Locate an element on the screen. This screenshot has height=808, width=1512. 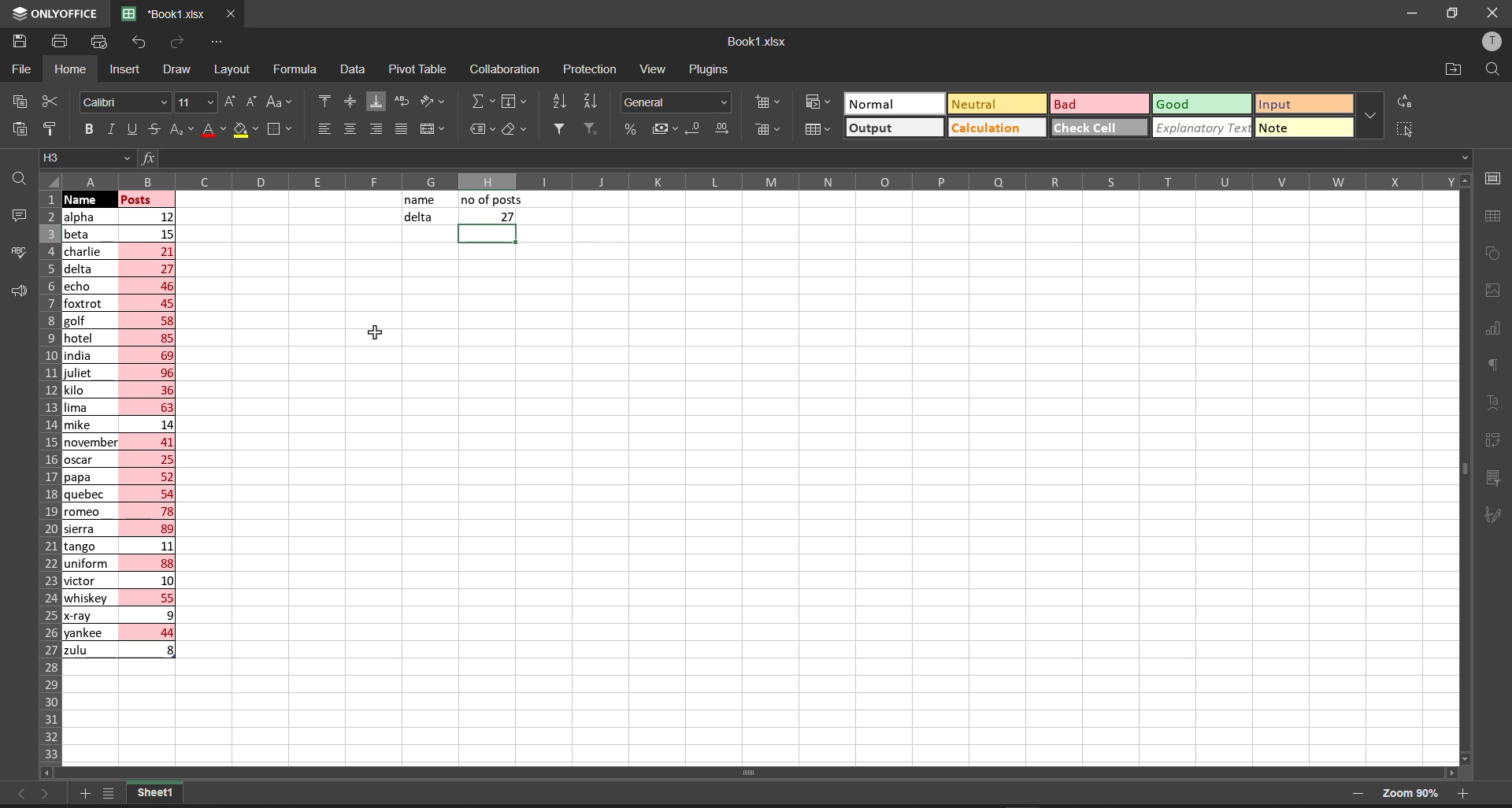
draw is located at coordinates (174, 69).